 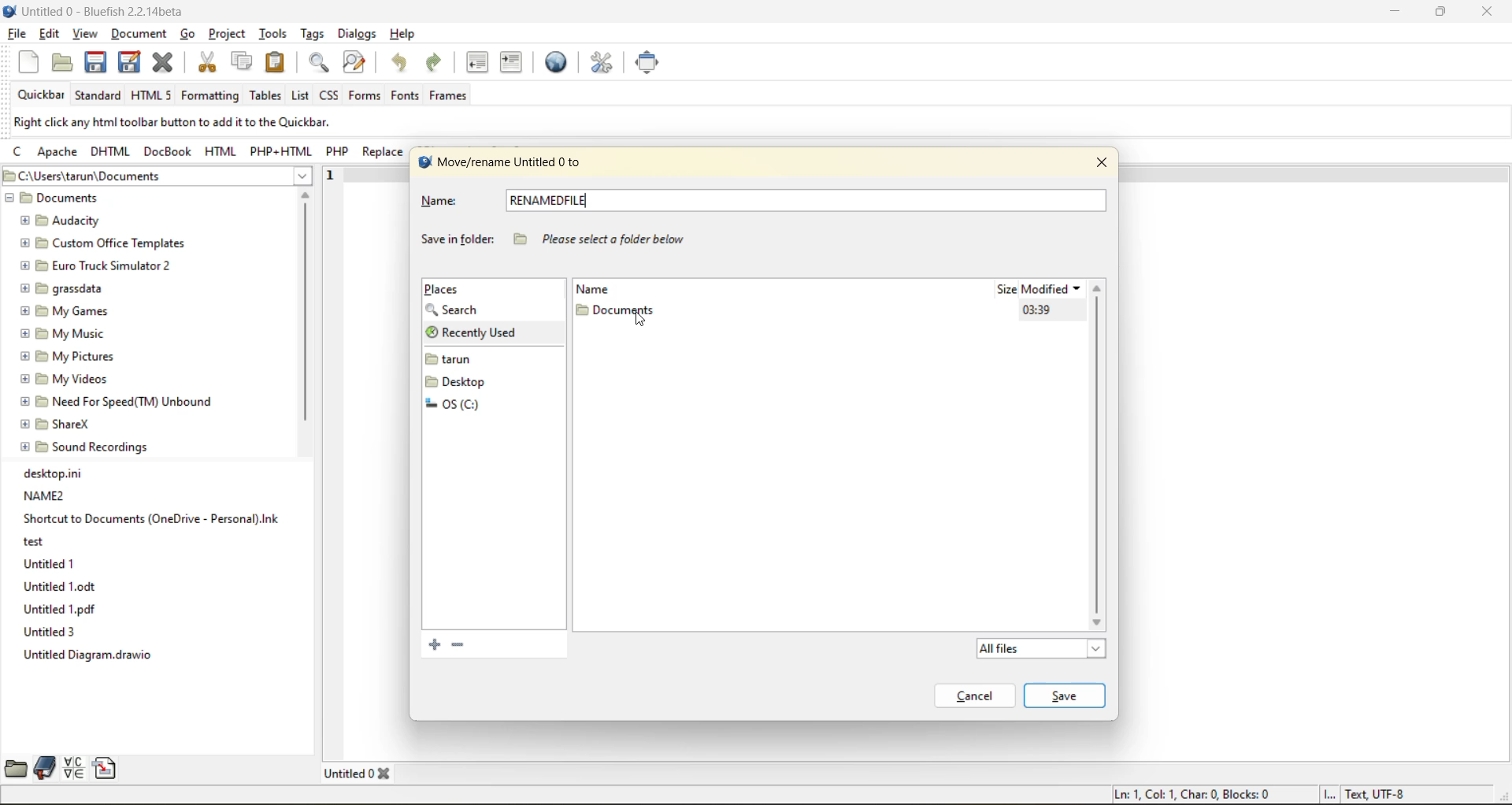 I want to click on cancel, so click(x=979, y=696).